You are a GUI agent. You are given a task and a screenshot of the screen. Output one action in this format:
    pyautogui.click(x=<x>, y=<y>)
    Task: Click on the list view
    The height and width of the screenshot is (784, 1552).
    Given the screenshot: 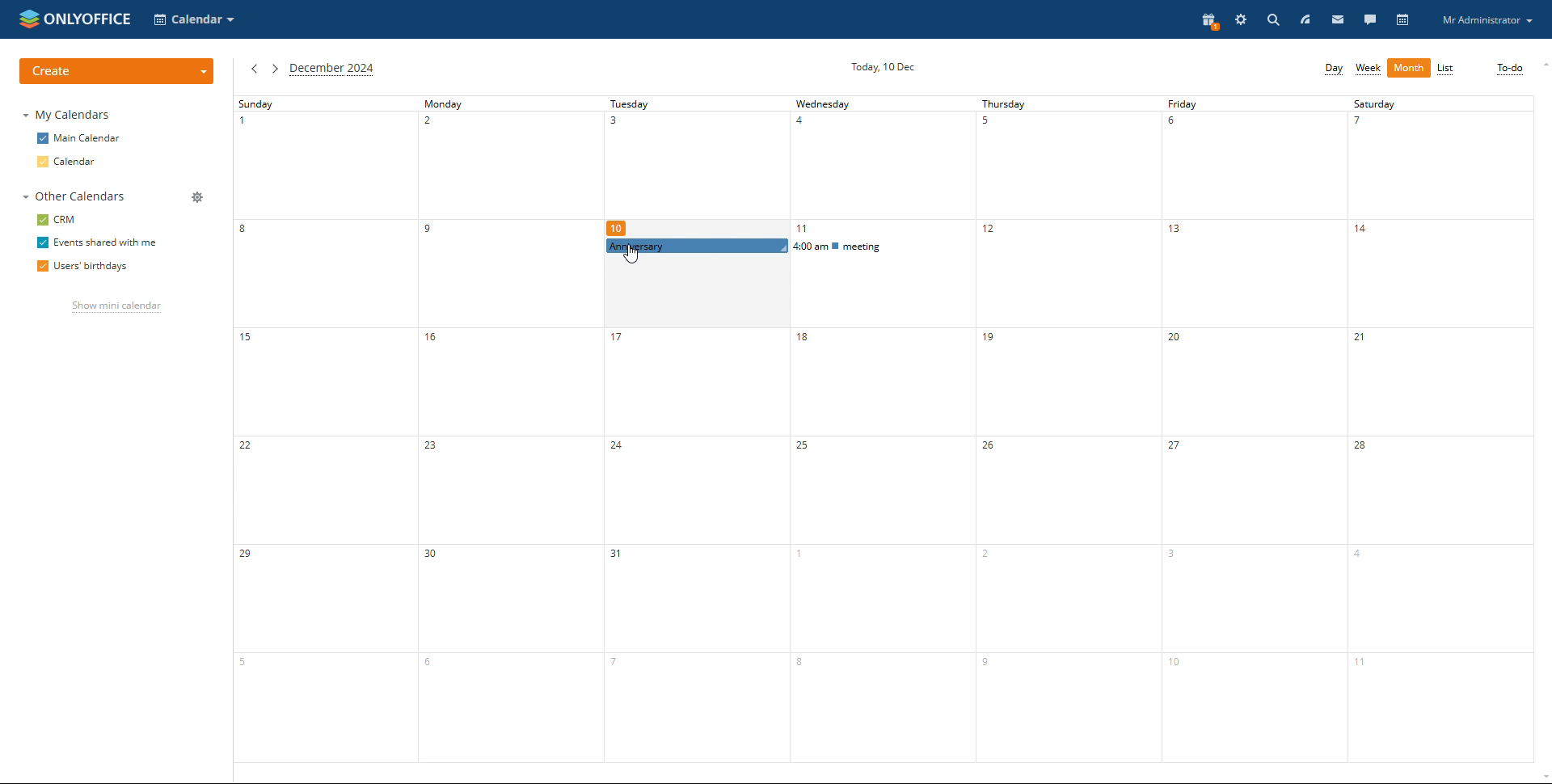 What is the action you would take?
    pyautogui.click(x=1445, y=70)
    